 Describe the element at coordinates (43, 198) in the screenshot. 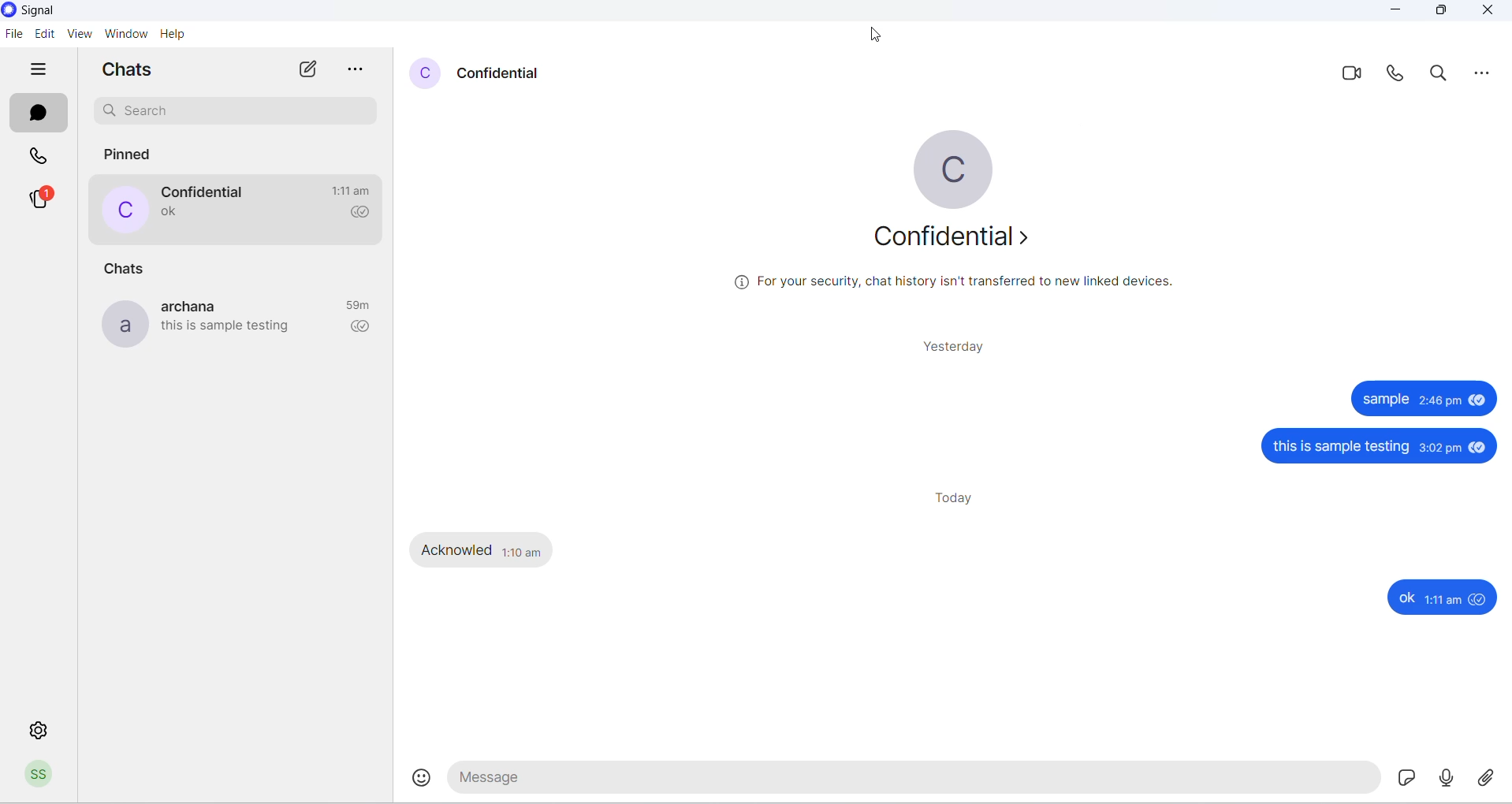

I see `stories` at that location.